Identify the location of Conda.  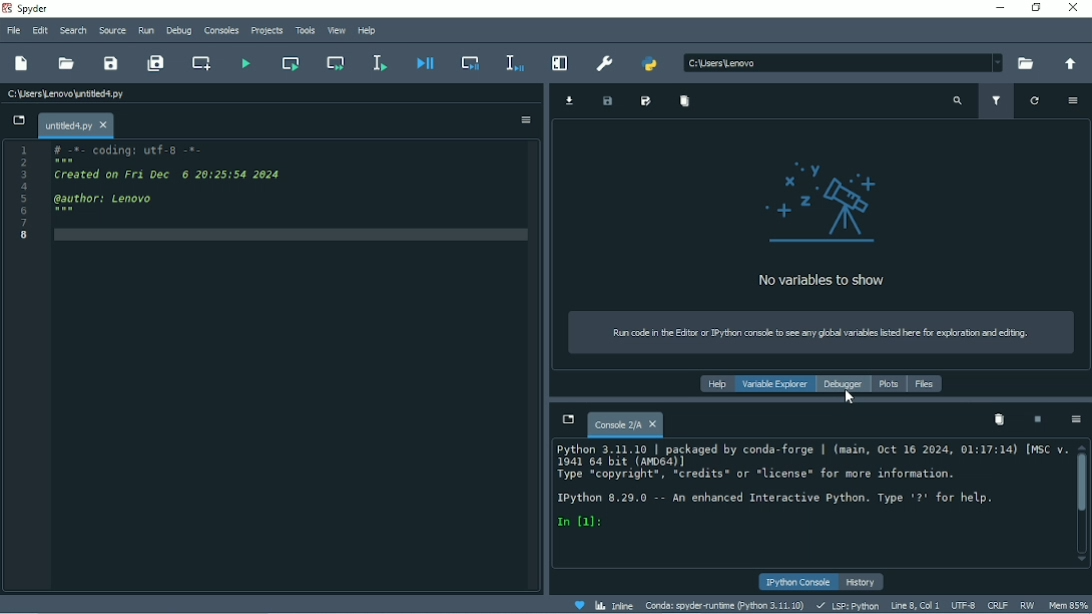
(723, 604).